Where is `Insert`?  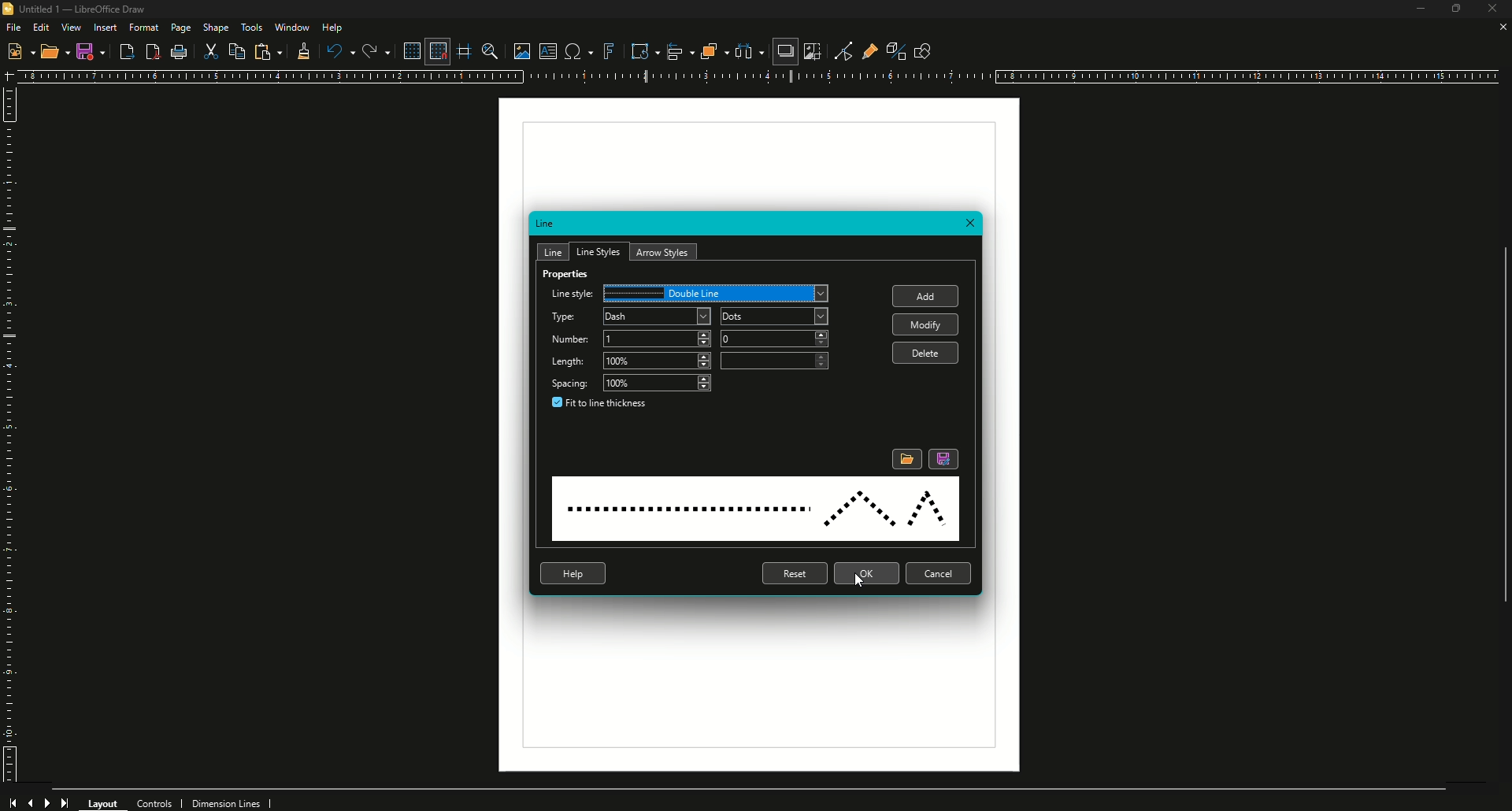 Insert is located at coordinates (105, 28).